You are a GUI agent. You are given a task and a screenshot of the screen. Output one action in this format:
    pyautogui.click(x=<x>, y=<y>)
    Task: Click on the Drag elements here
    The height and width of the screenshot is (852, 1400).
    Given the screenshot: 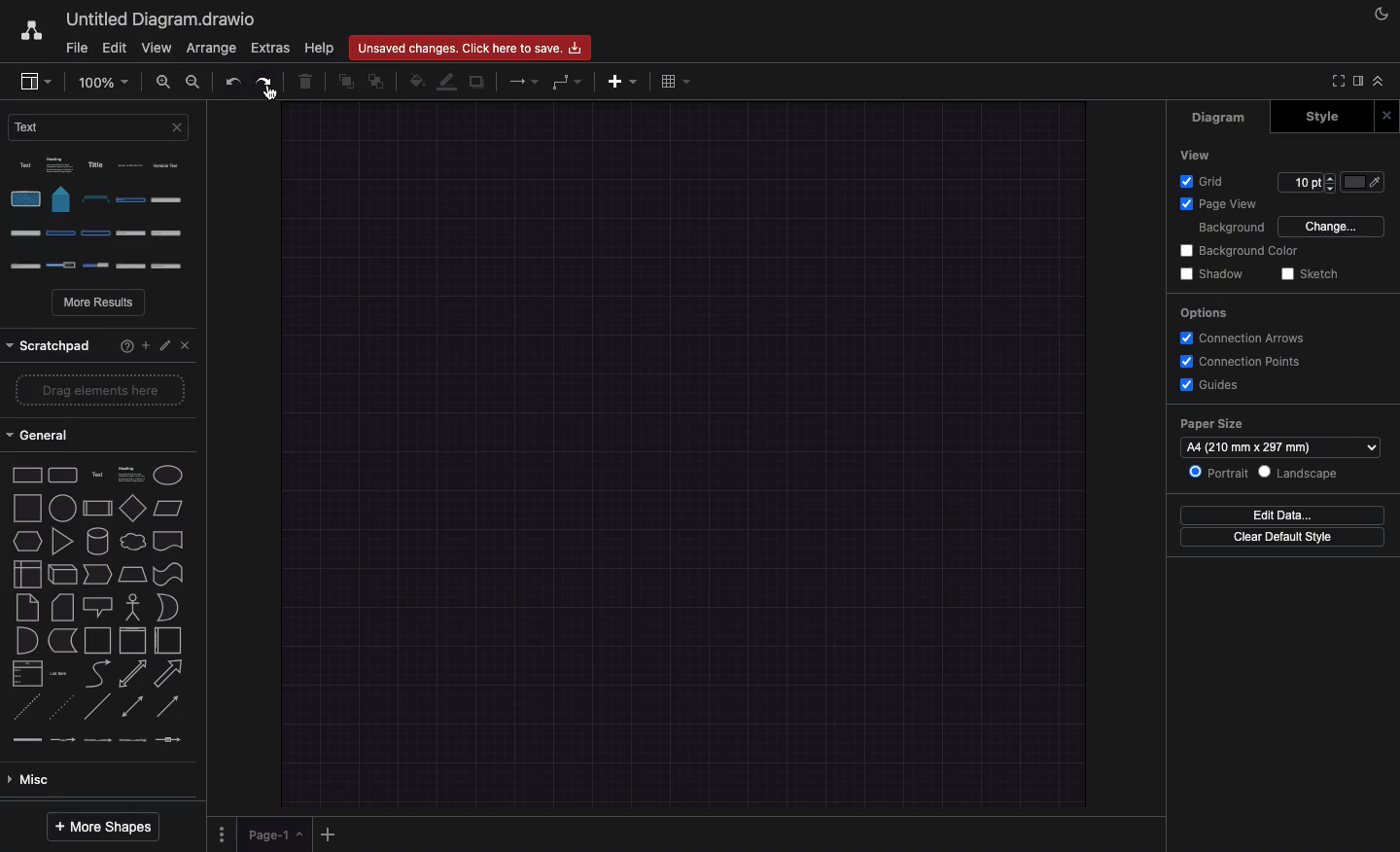 What is the action you would take?
    pyautogui.click(x=92, y=392)
    